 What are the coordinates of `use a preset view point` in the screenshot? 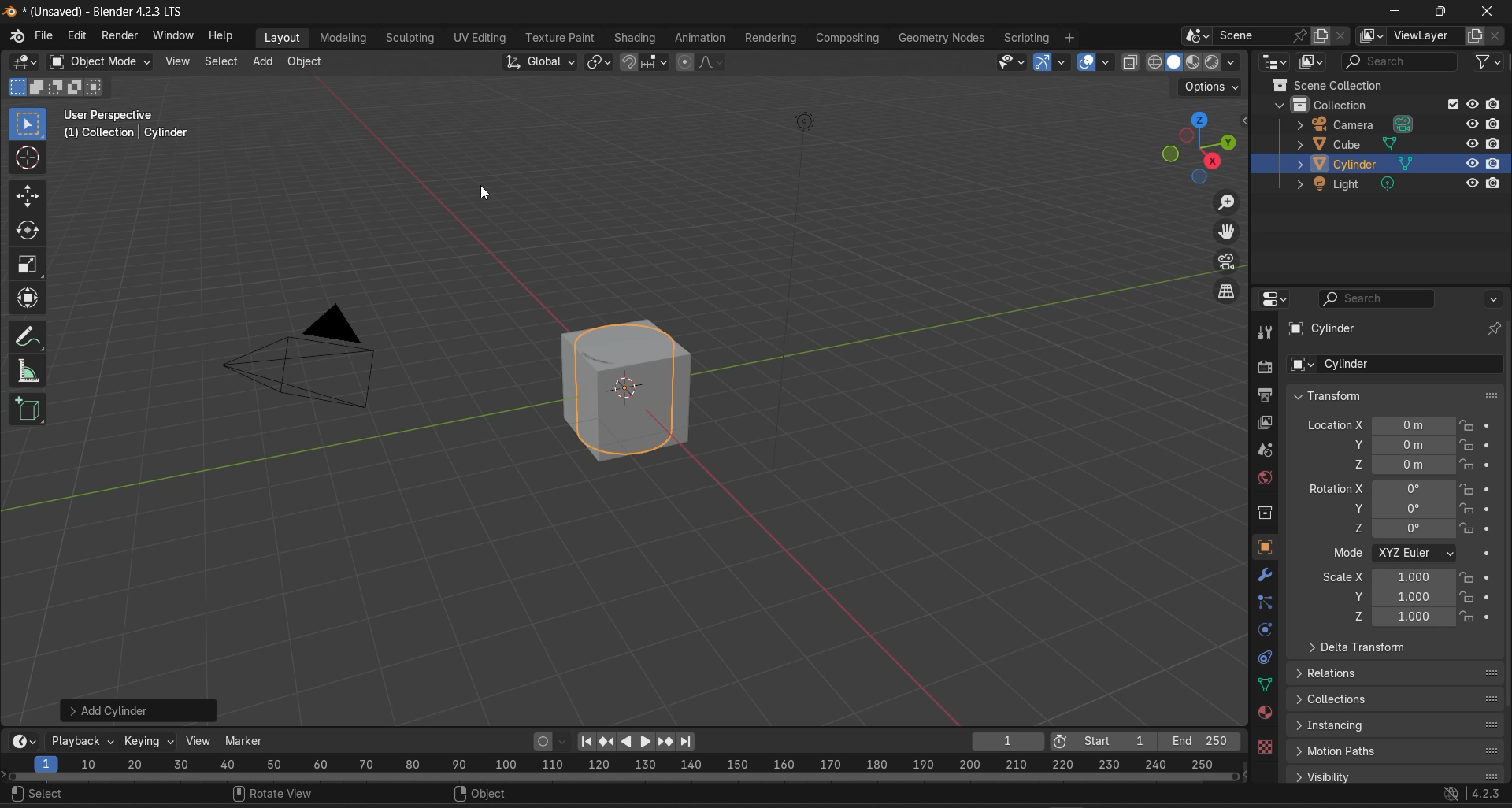 It's located at (1202, 146).